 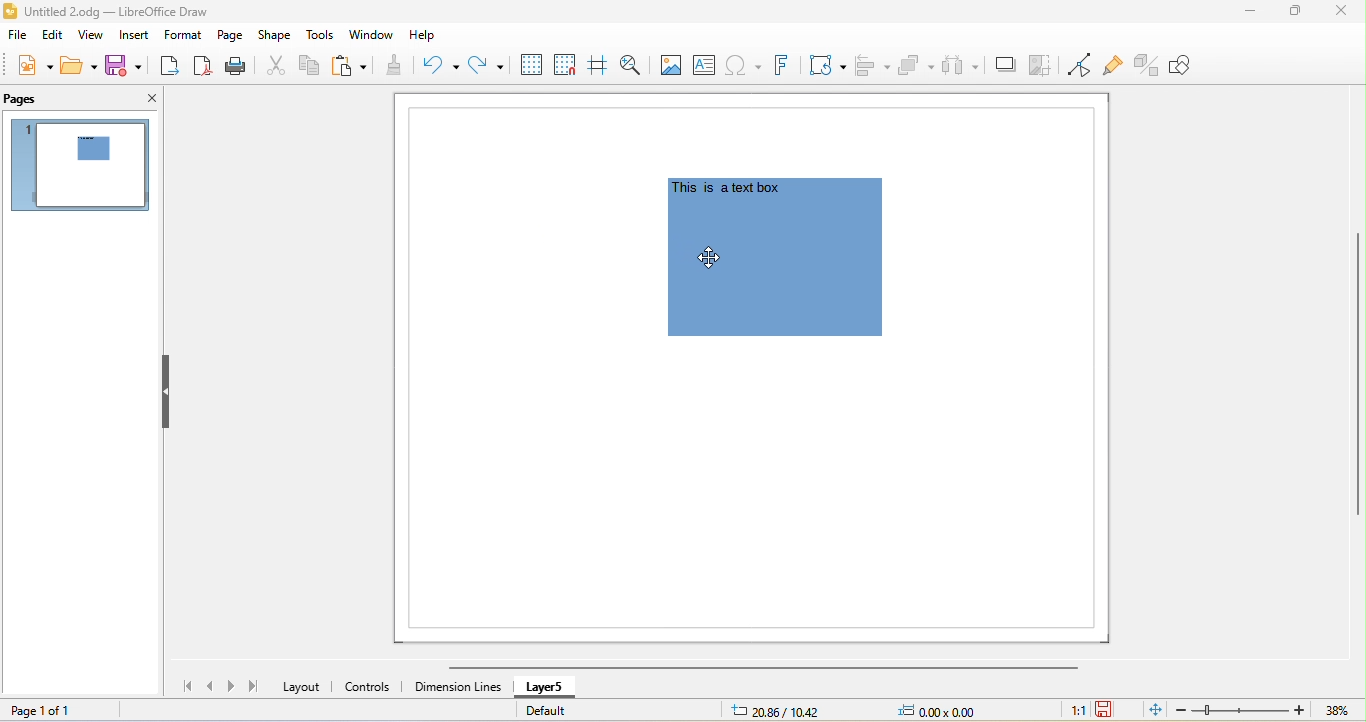 I want to click on page 1, so click(x=79, y=164).